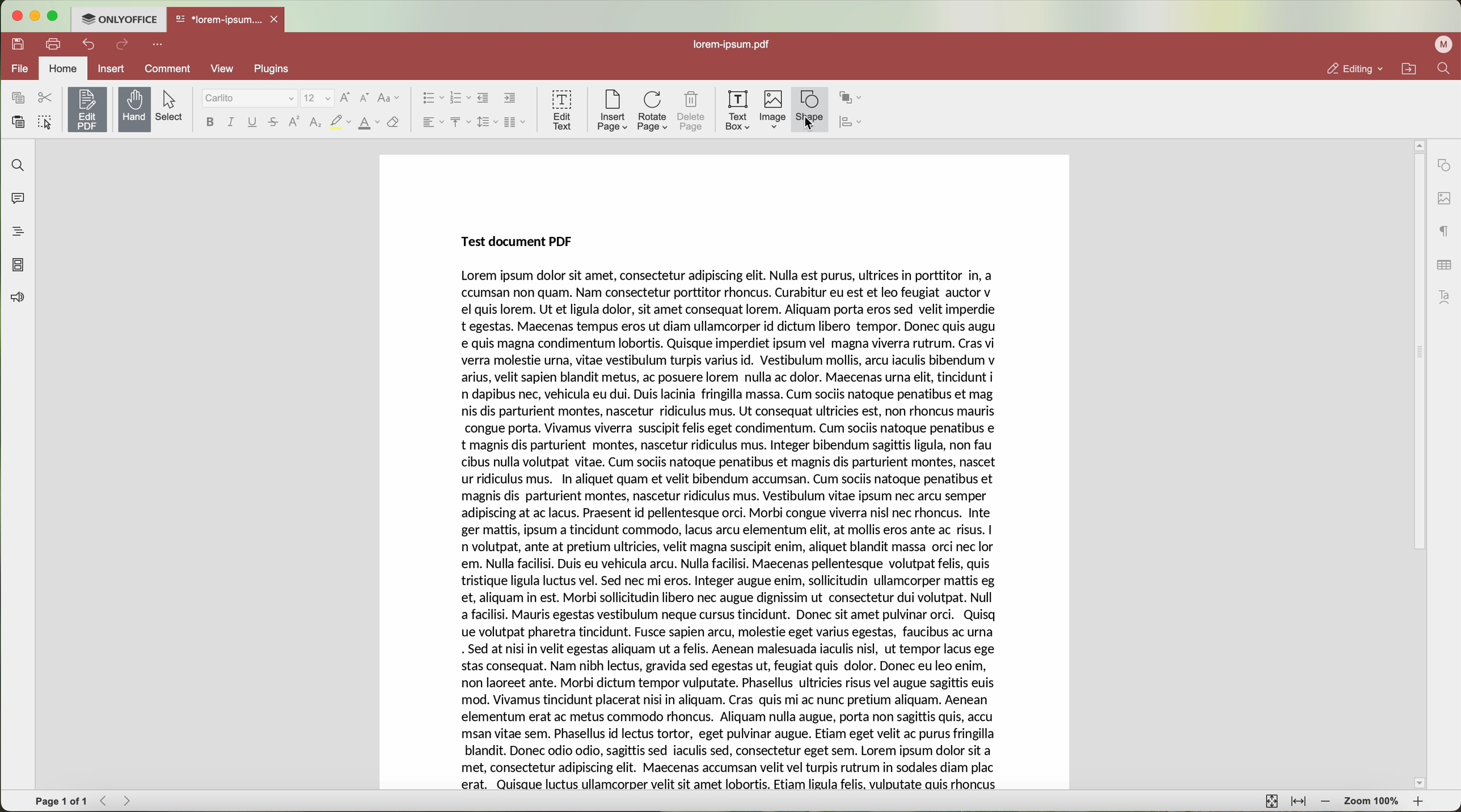  What do you see at coordinates (1355, 69) in the screenshot?
I see `editing` at bounding box center [1355, 69].